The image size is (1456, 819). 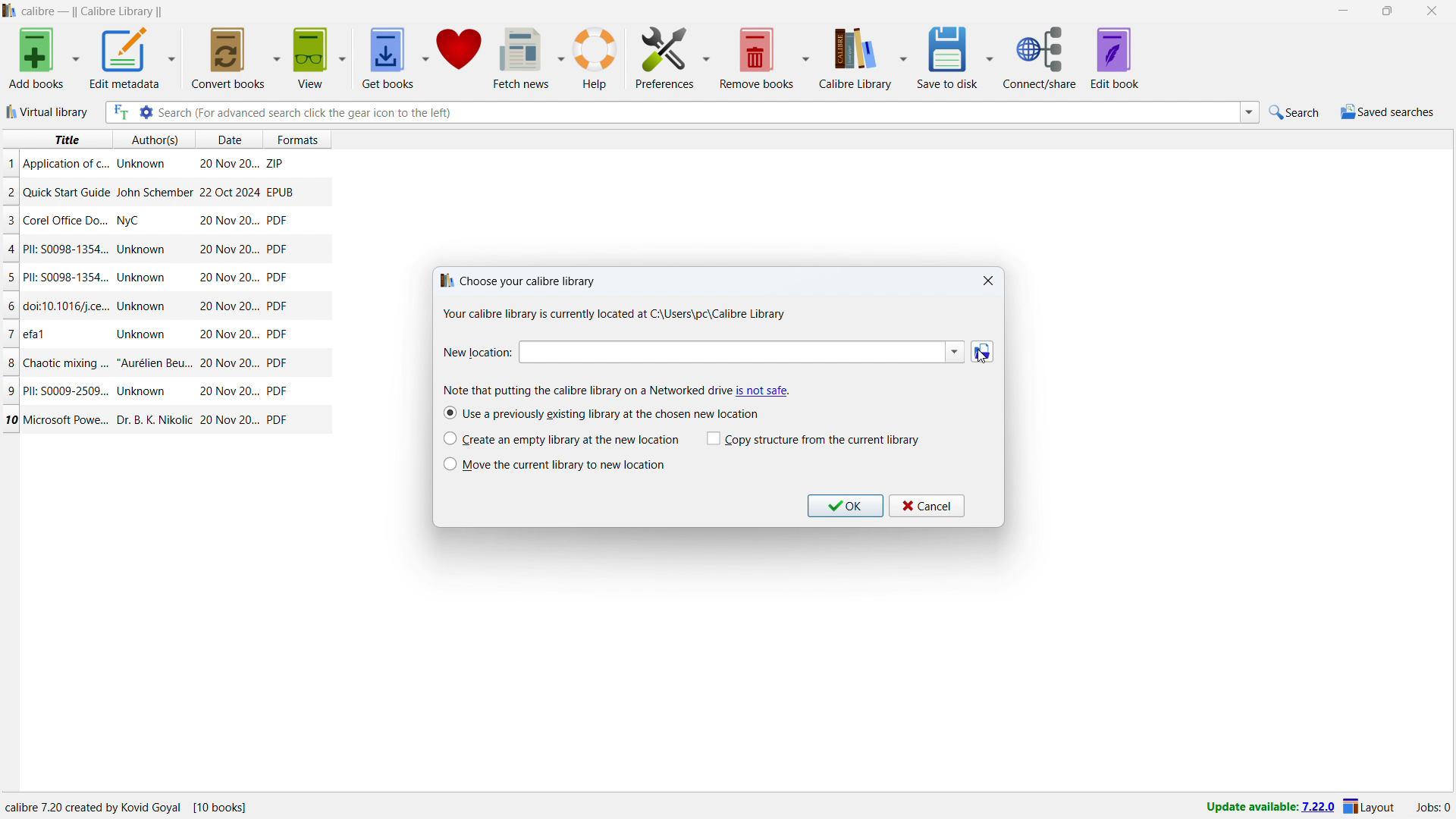 I want to click on calibre library options, so click(x=904, y=59).